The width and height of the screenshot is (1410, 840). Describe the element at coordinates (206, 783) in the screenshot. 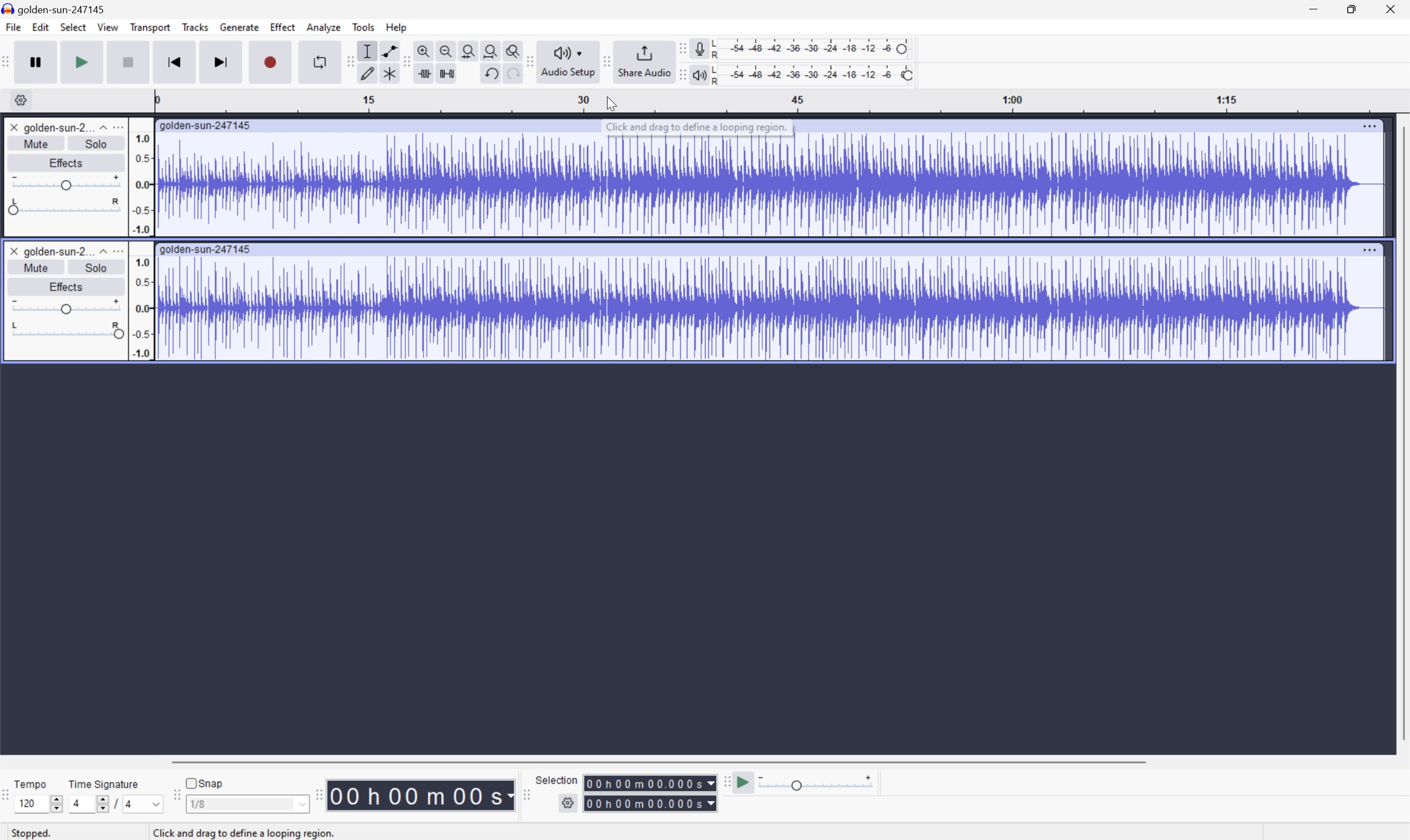

I see `Snap` at that location.